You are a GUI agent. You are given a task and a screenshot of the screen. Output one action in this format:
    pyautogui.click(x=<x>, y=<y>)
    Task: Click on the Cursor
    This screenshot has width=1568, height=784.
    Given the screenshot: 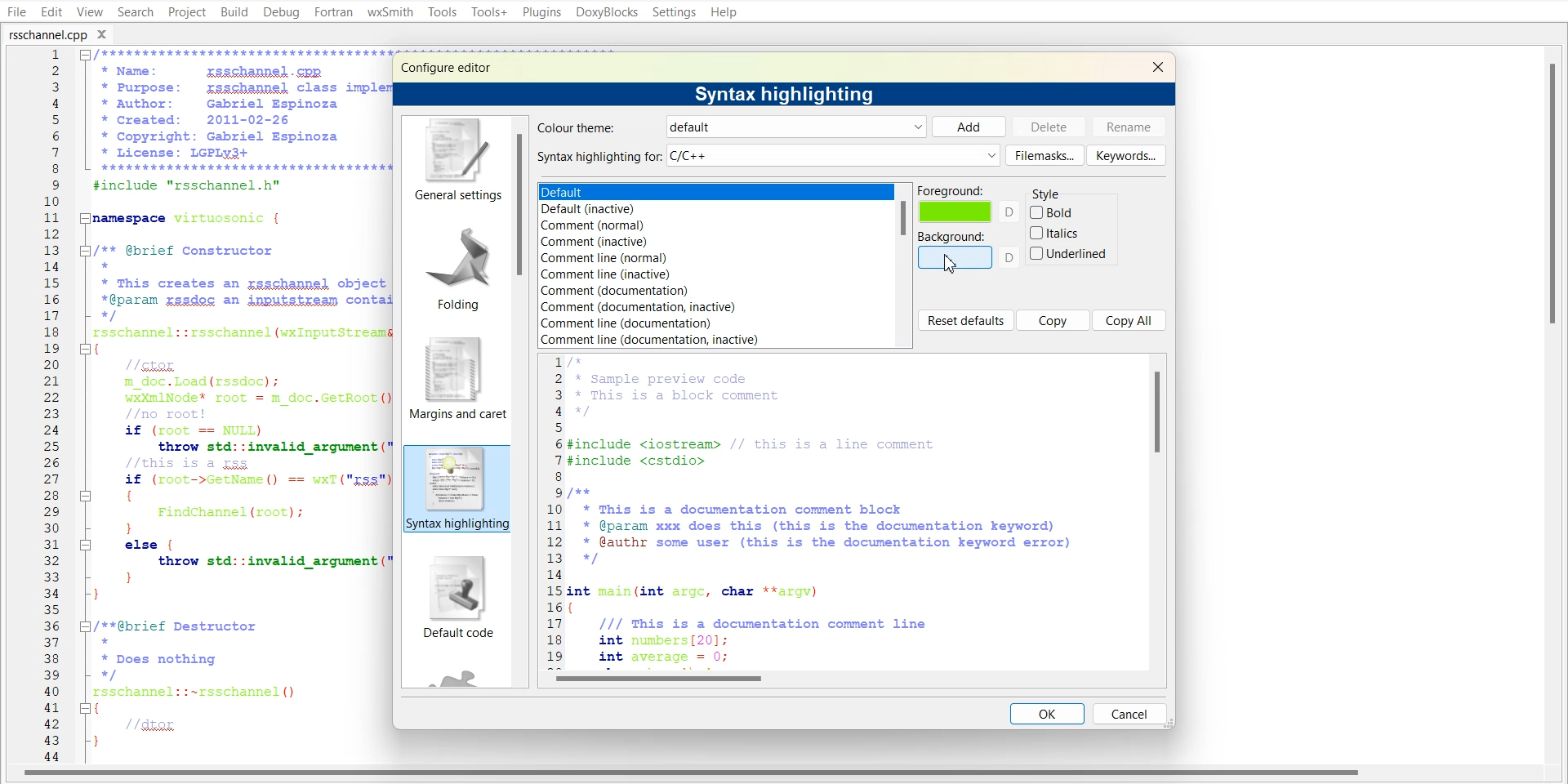 What is the action you would take?
    pyautogui.click(x=952, y=264)
    